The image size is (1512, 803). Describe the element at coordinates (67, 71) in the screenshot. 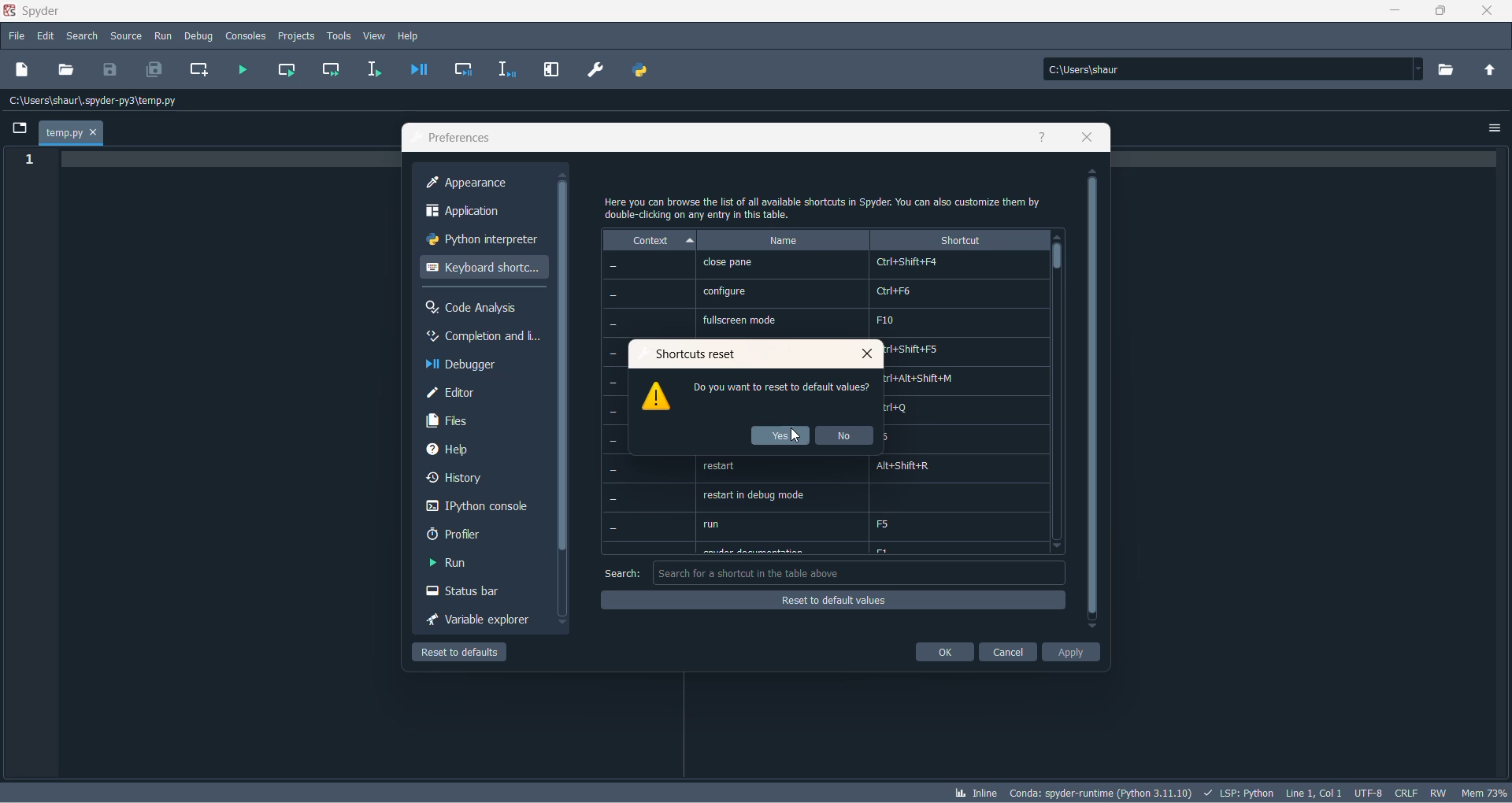

I see `open ` at that location.